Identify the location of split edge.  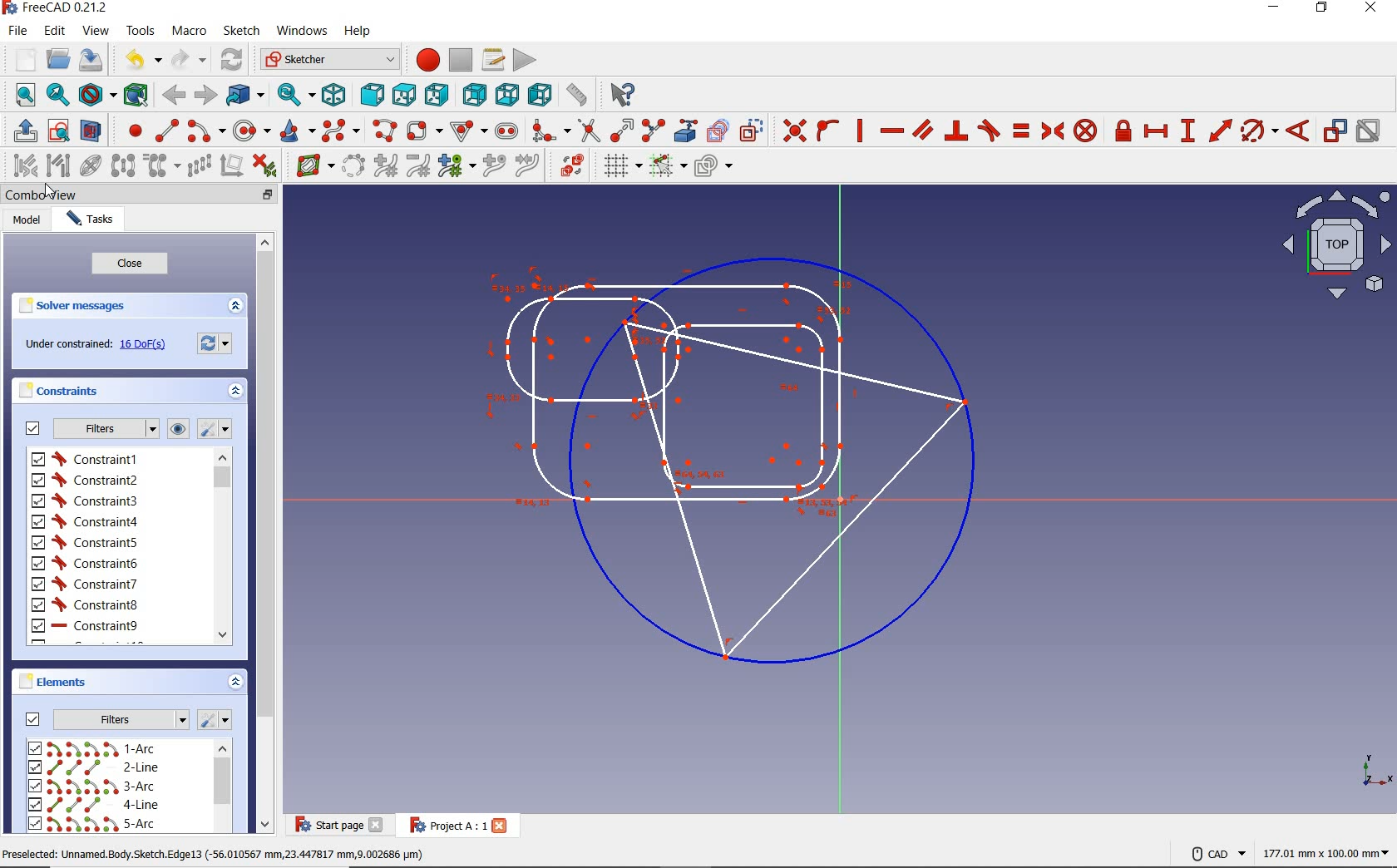
(653, 130).